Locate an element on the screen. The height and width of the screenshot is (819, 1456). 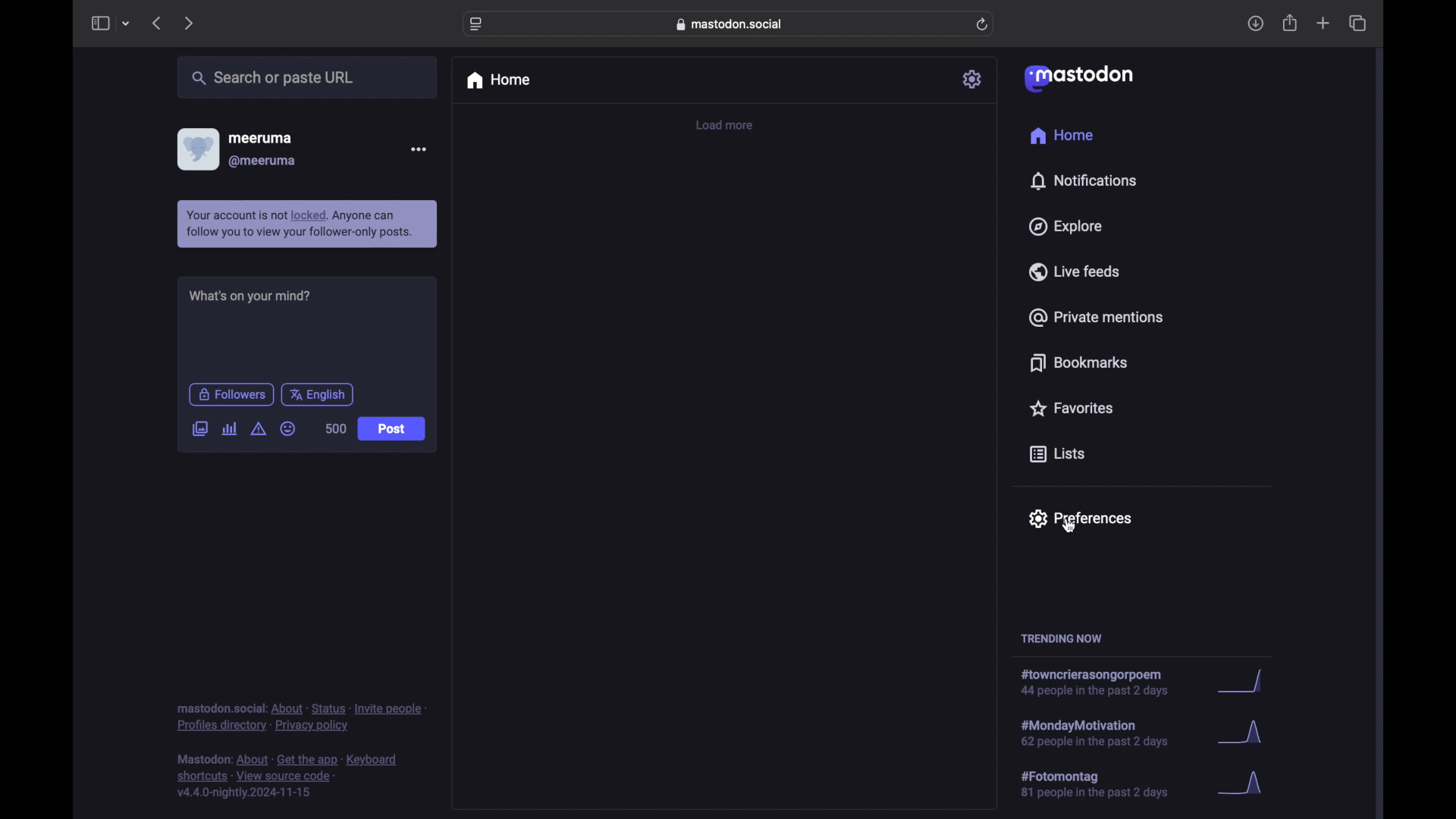
favorites is located at coordinates (1073, 408).